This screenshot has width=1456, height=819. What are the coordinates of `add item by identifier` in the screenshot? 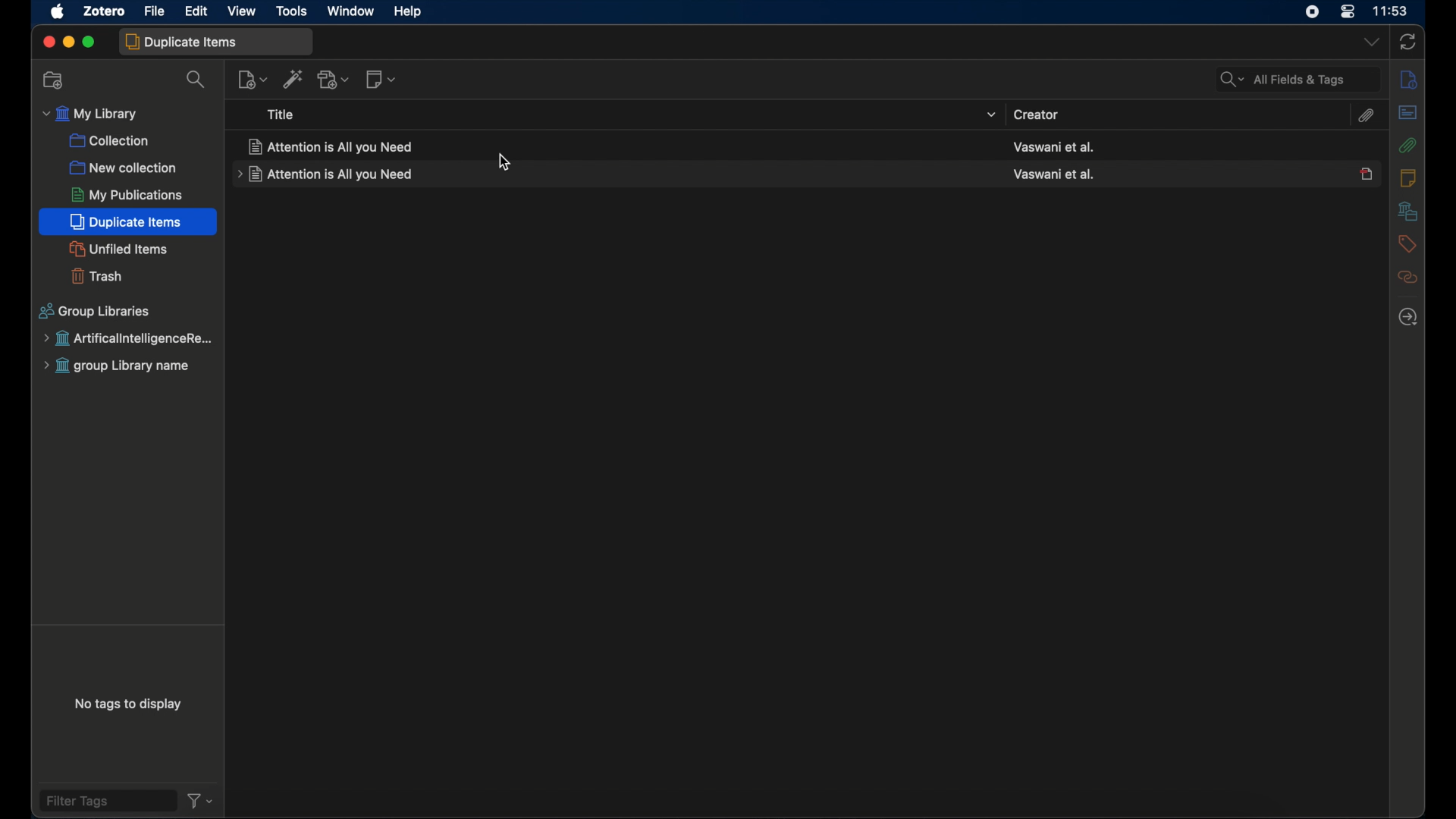 It's located at (293, 80).